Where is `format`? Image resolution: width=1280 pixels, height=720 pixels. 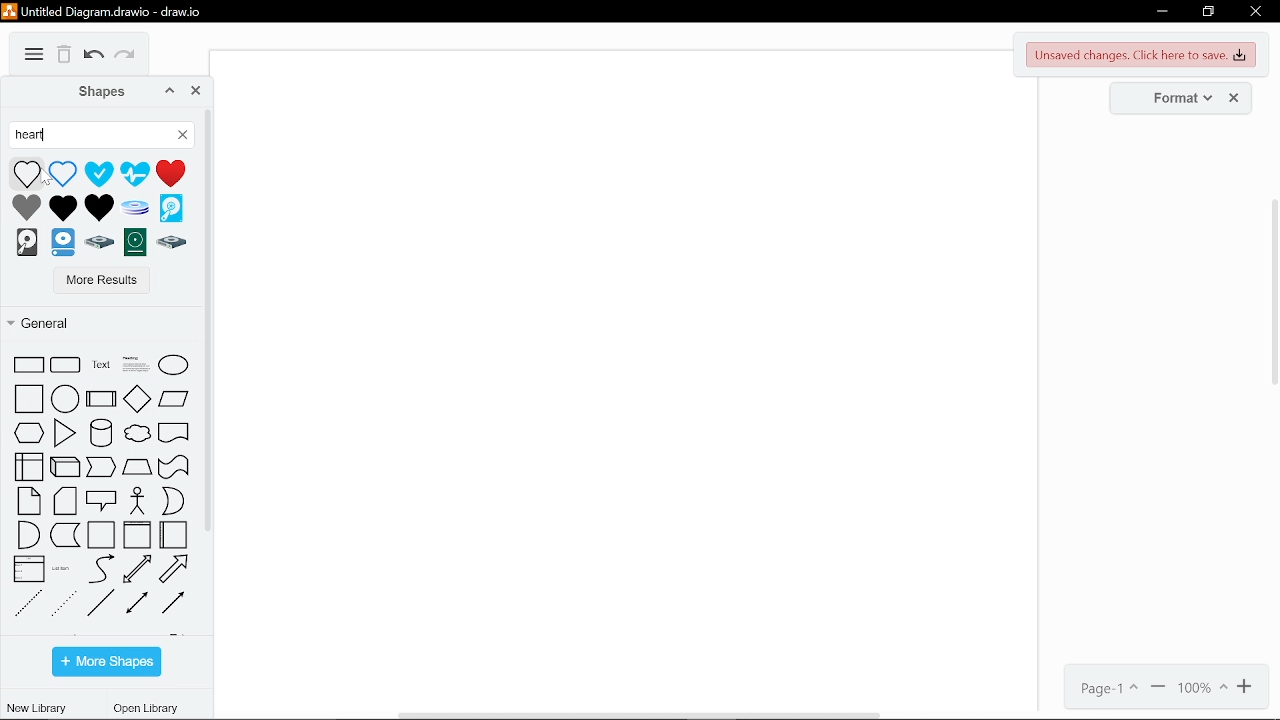 format is located at coordinates (1175, 97).